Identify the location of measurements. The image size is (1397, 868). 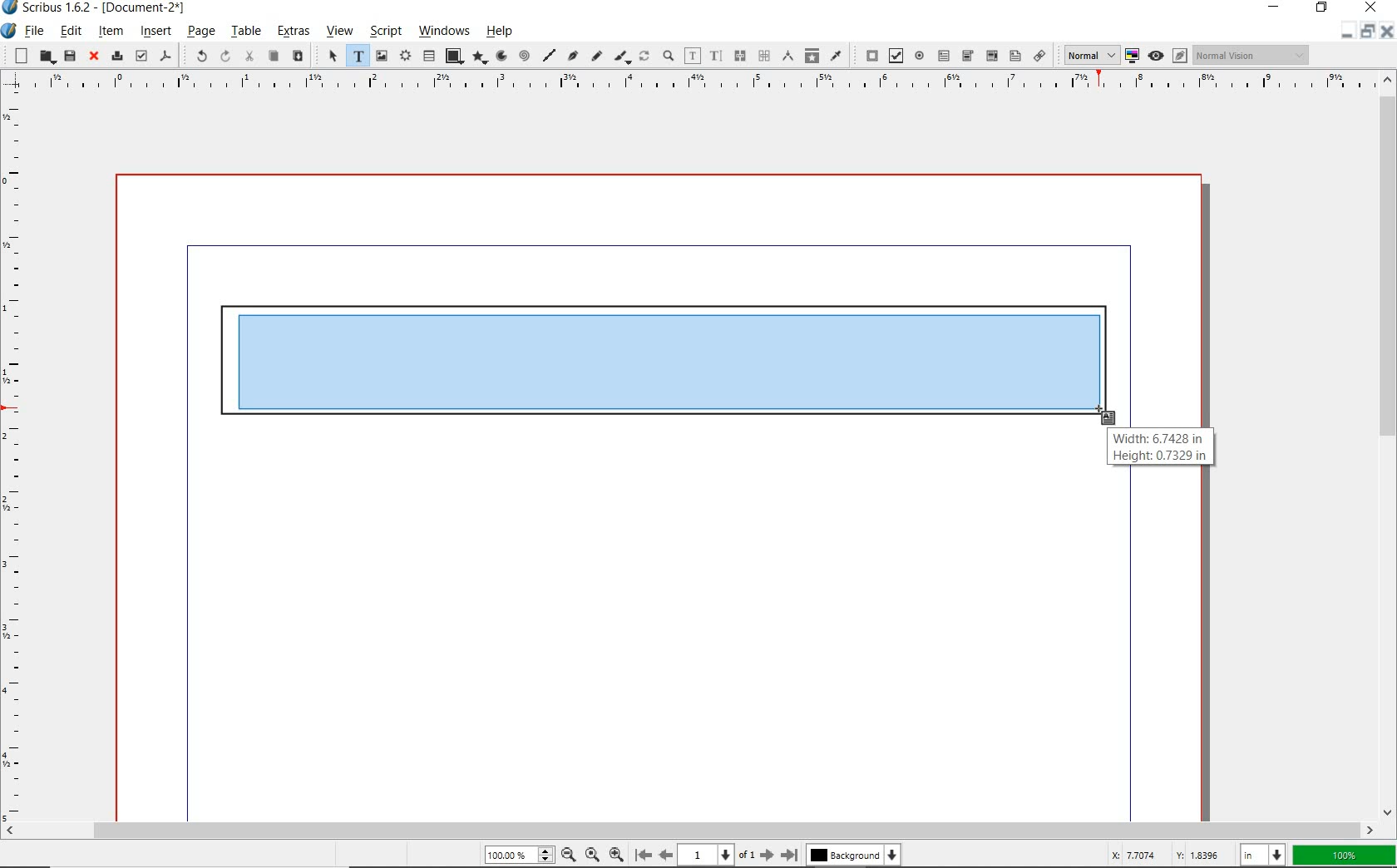
(786, 57).